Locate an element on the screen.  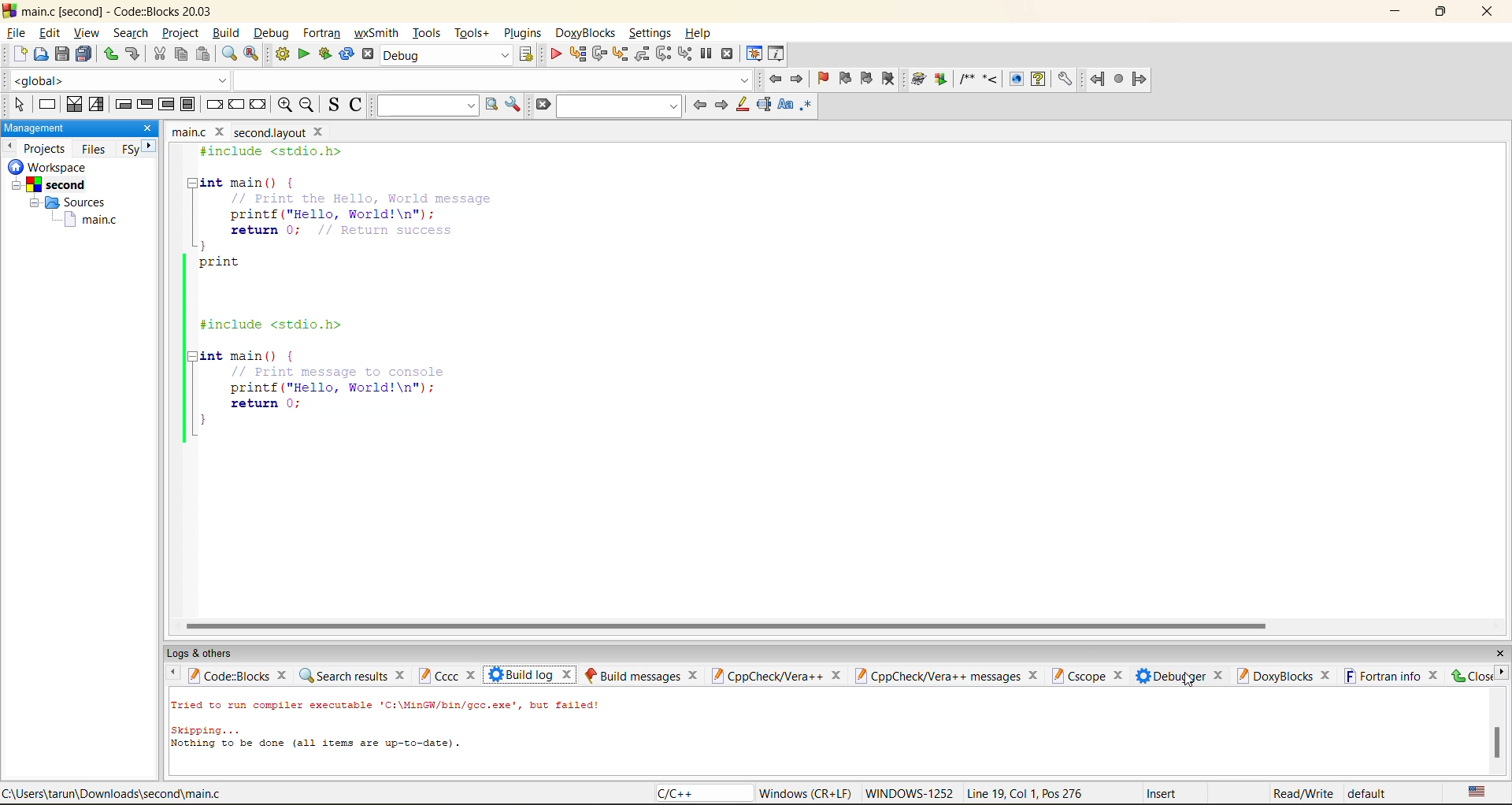
code completion  compiler is located at coordinates (379, 81).